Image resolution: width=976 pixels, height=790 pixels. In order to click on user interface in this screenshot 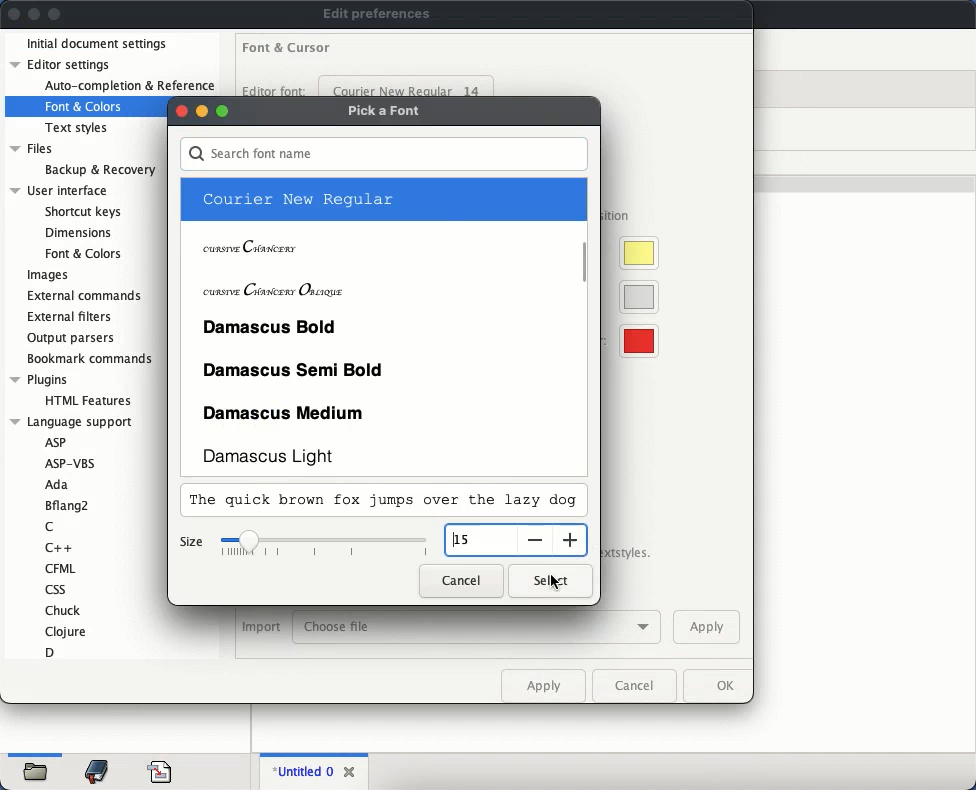, I will do `click(60, 191)`.